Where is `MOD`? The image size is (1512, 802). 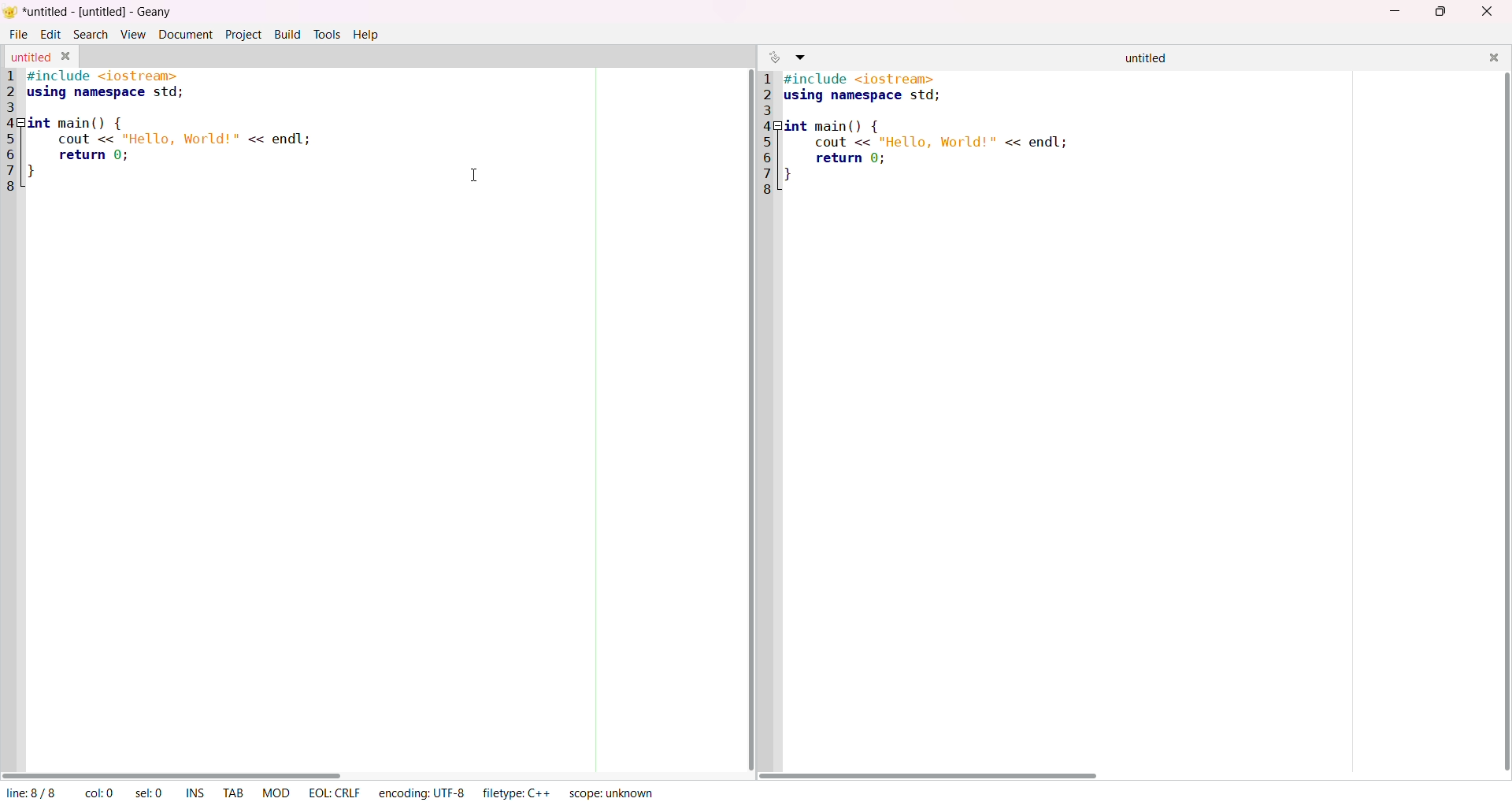 MOD is located at coordinates (278, 793).